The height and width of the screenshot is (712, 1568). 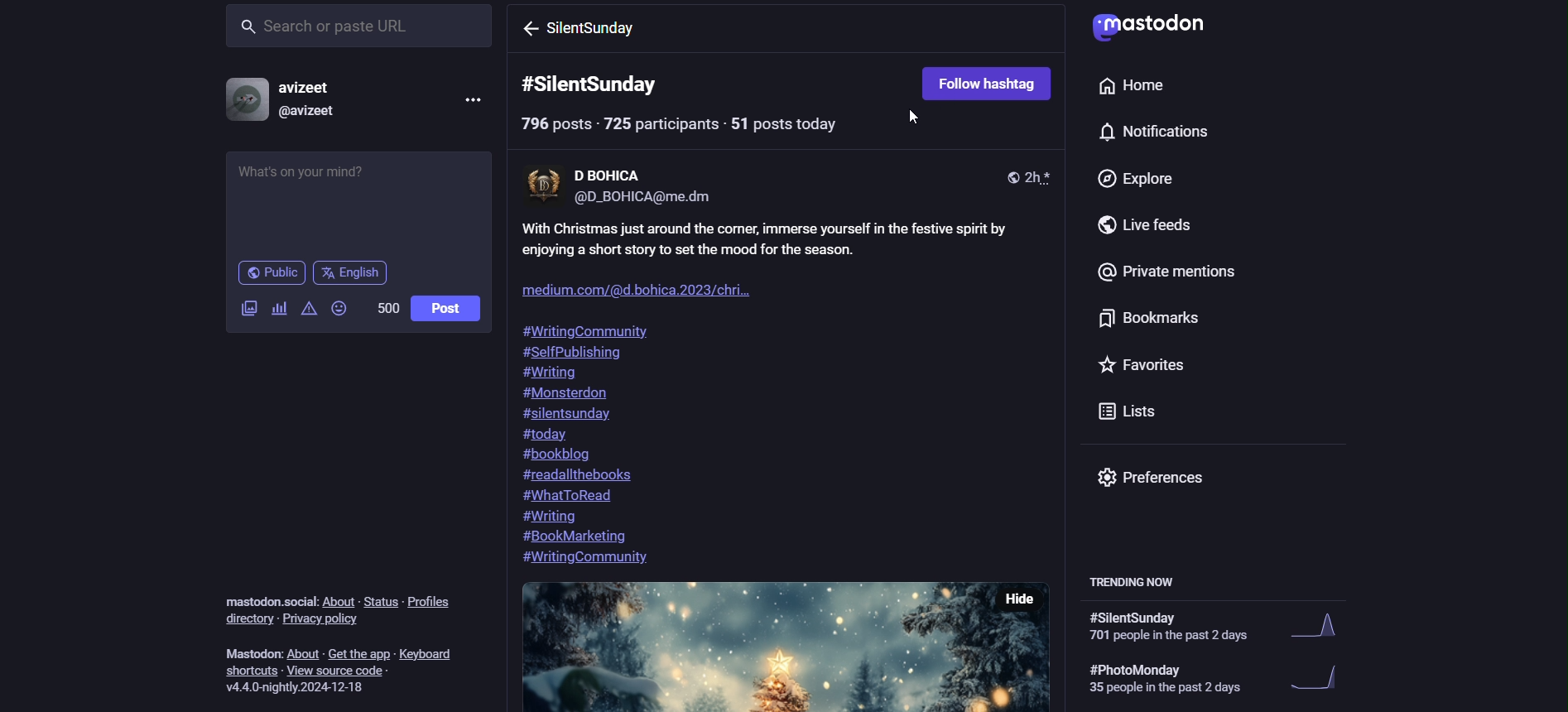 What do you see at coordinates (1147, 26) in the screenshot?
I see `logo` at bounding box center [1147, 26].